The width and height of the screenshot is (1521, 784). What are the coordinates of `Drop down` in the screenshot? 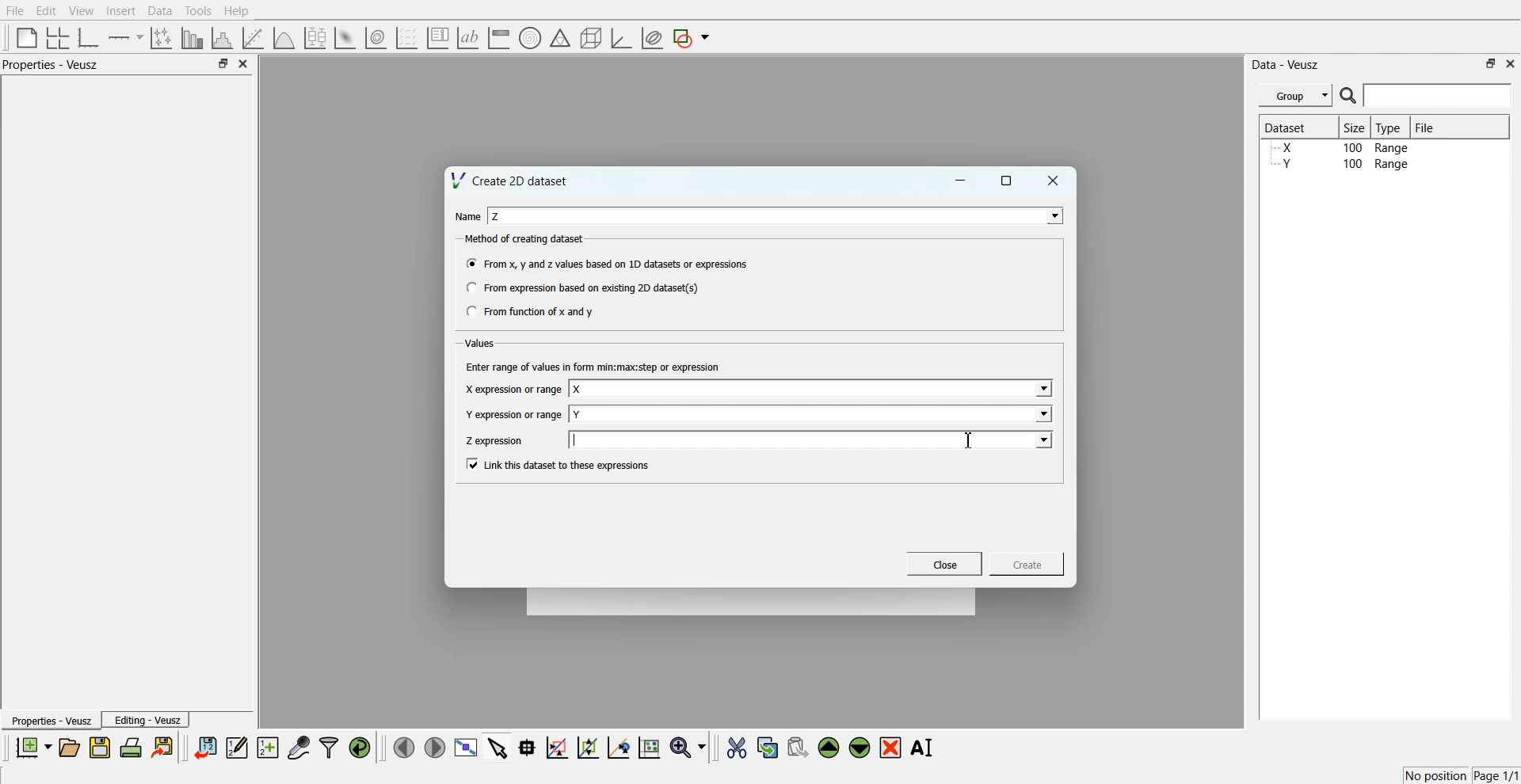 It's located at (1043, 440).